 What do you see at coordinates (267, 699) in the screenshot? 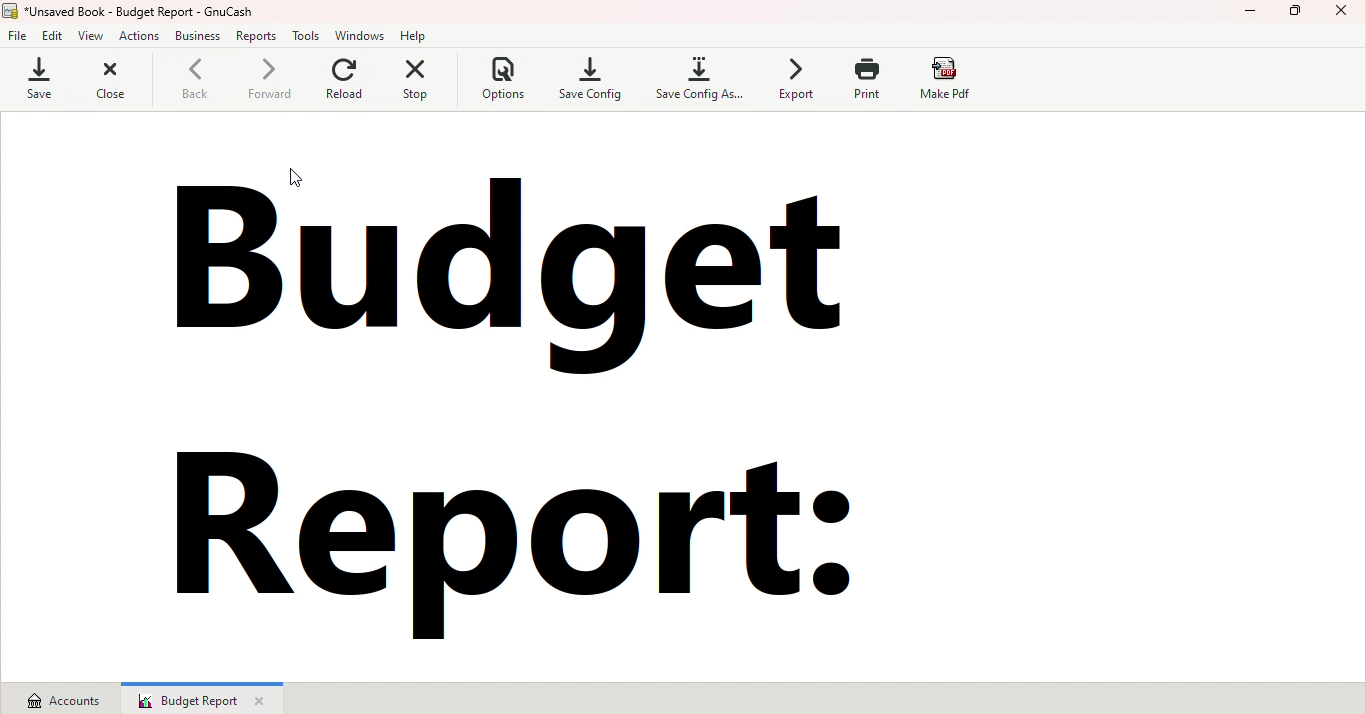
I see `Close` at bounding box center [267, 699].